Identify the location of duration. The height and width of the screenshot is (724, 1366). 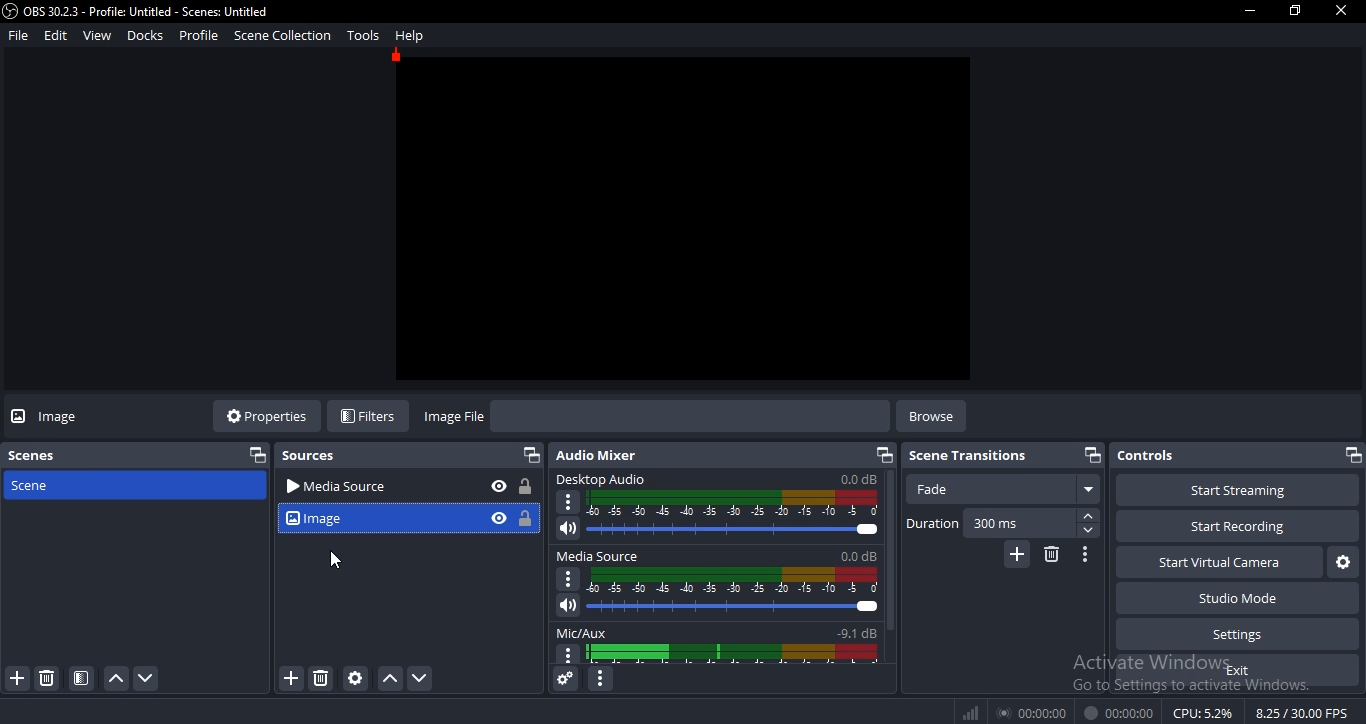
(933, 522).